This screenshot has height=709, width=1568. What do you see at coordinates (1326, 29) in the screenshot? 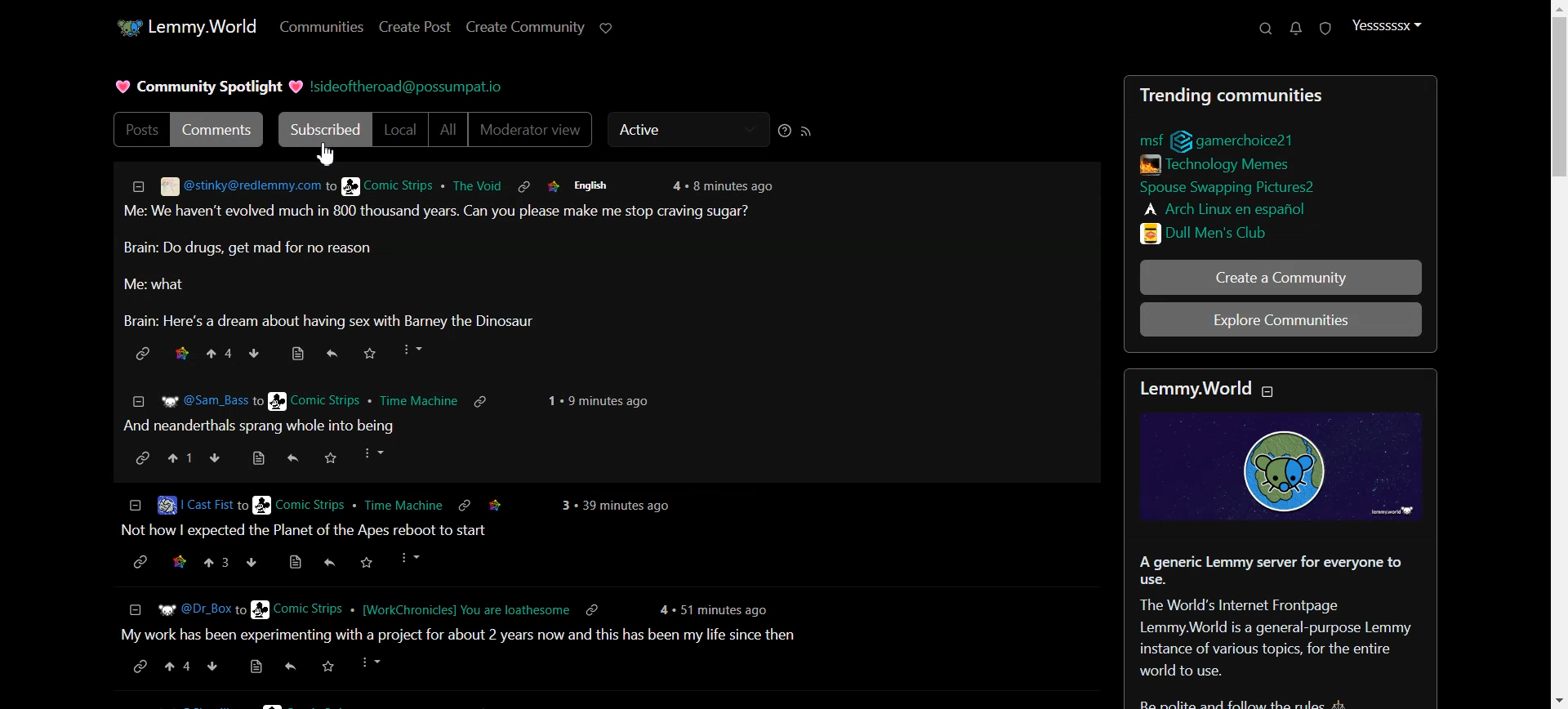
I see `Unread Report` at bounding box center [1326, 29].